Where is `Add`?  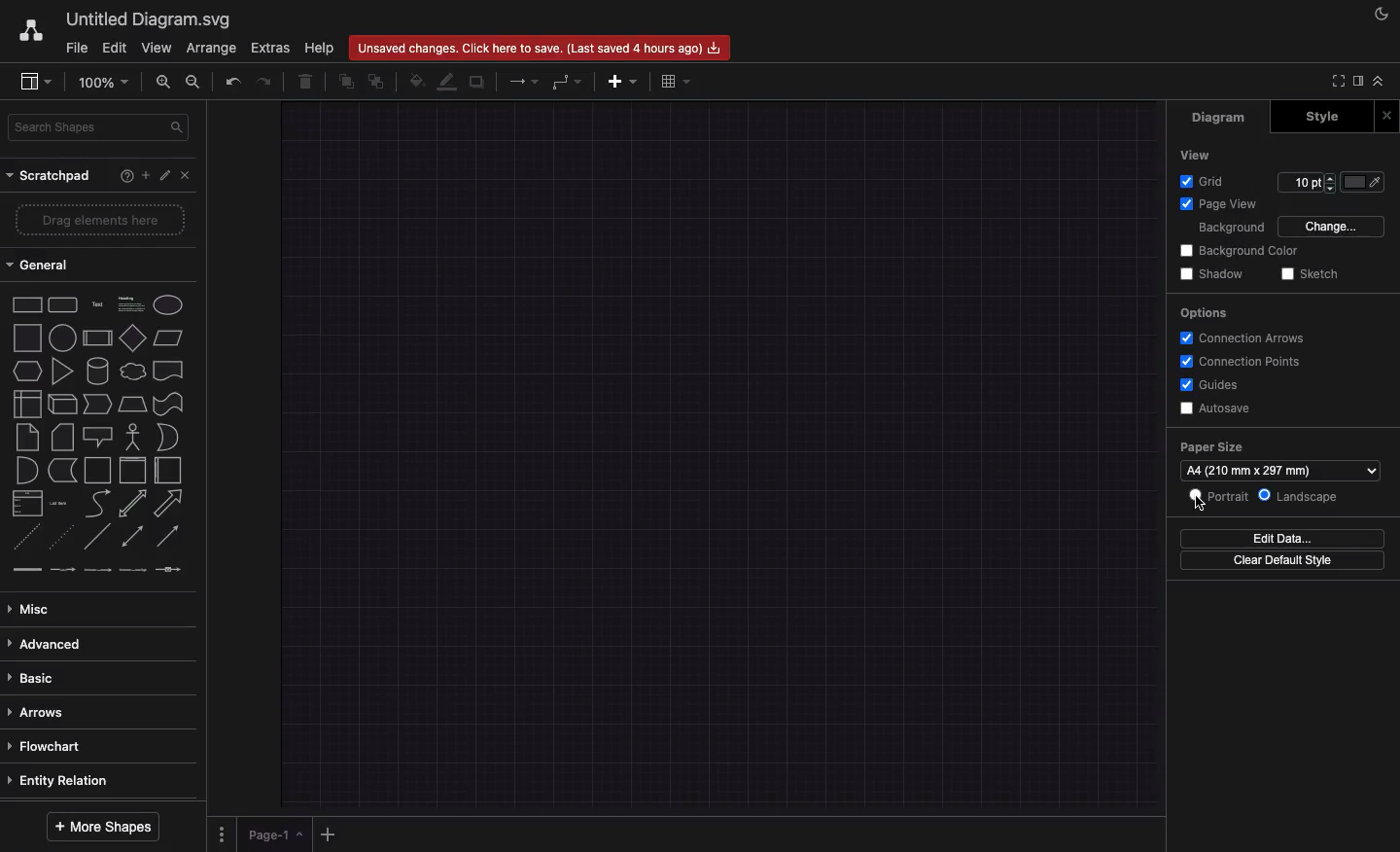
Add is located at coordinates (332, 834).